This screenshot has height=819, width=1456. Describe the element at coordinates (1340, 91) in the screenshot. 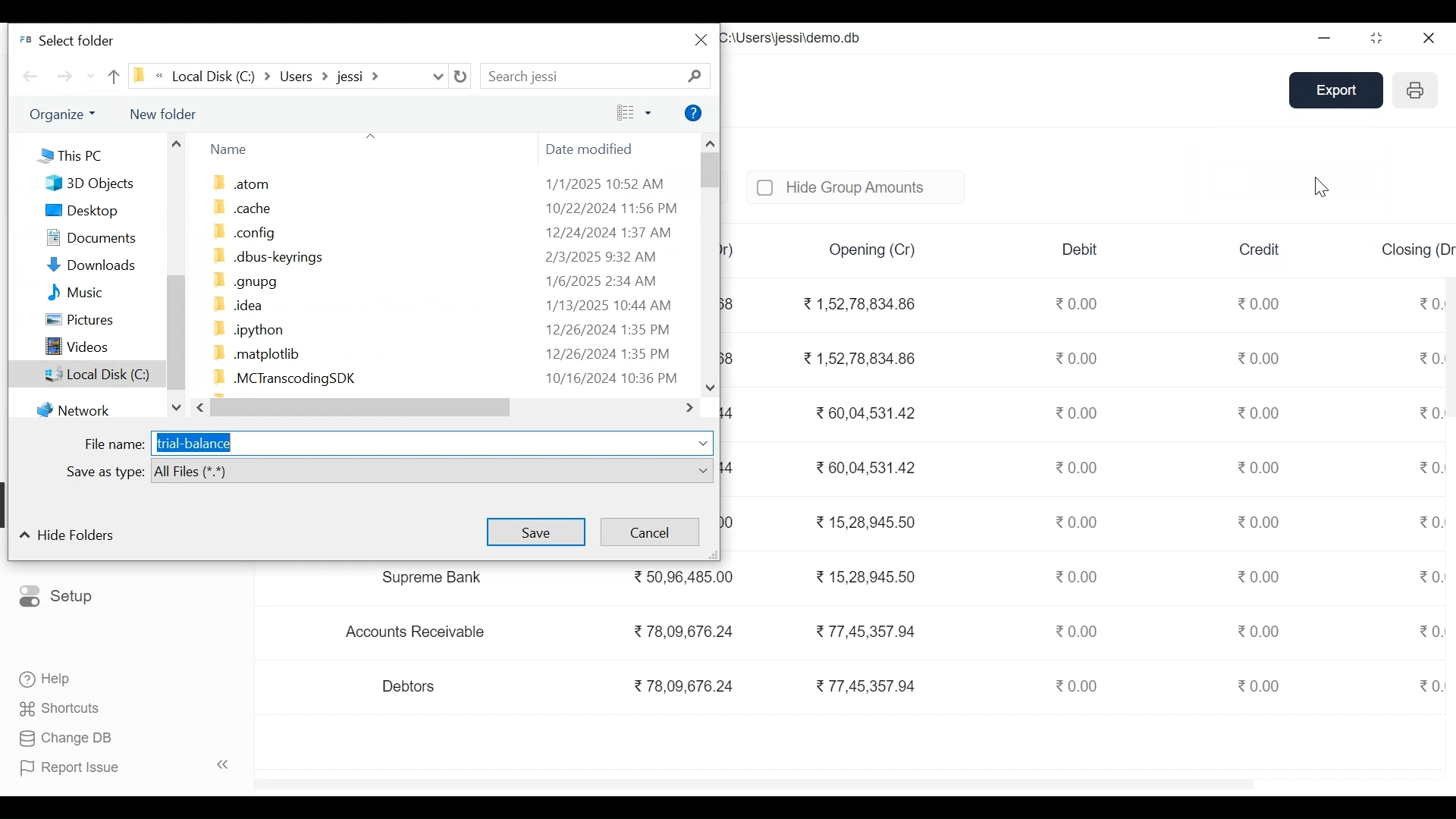

I see `Export` at that location.